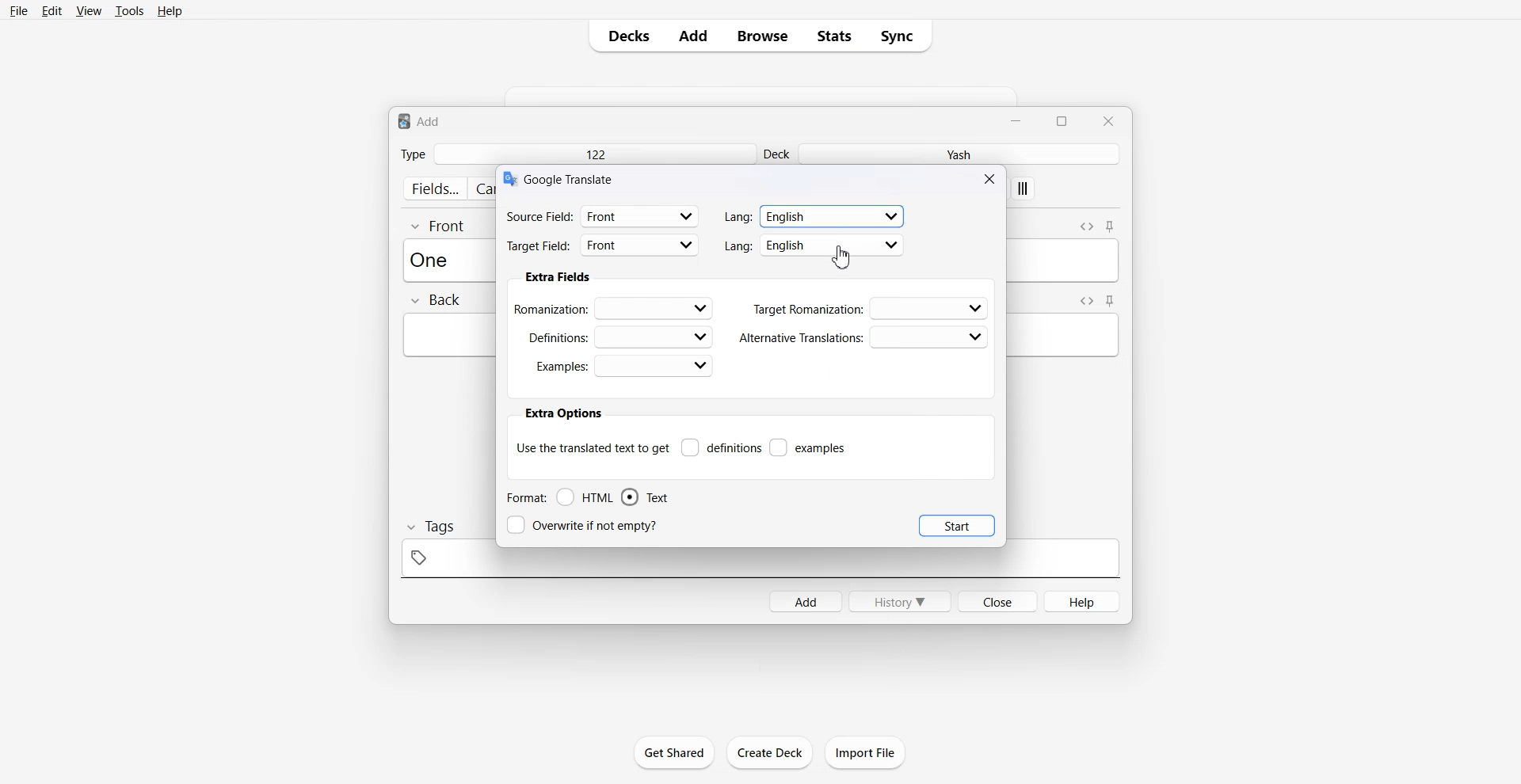 This screenshot has width=1521, height=784. Describe the element at coordinates (571, 178) in the screenshot. I see `Text` at that location.